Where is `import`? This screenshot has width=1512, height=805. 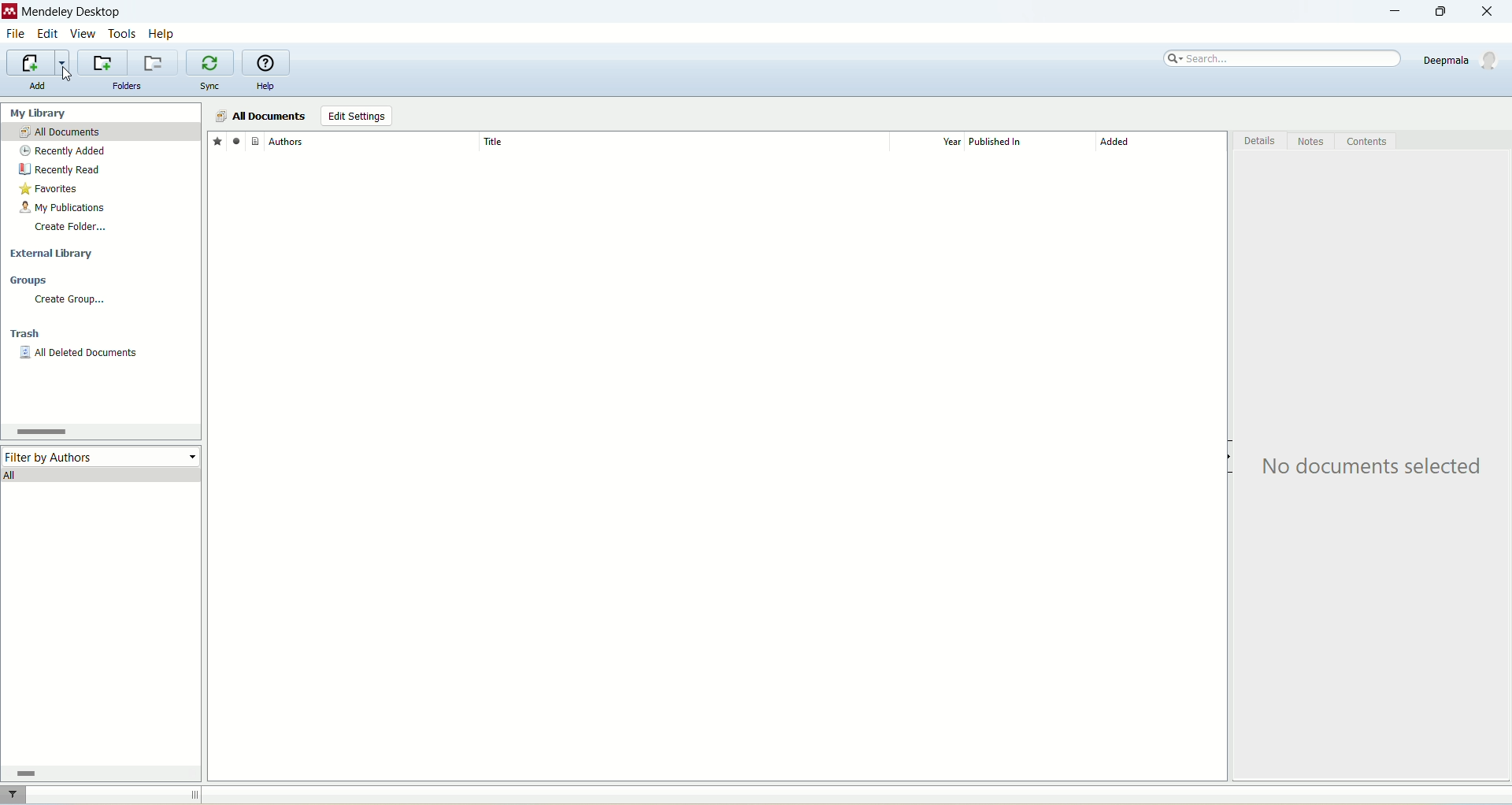
import is located at coordinates (35, 63).